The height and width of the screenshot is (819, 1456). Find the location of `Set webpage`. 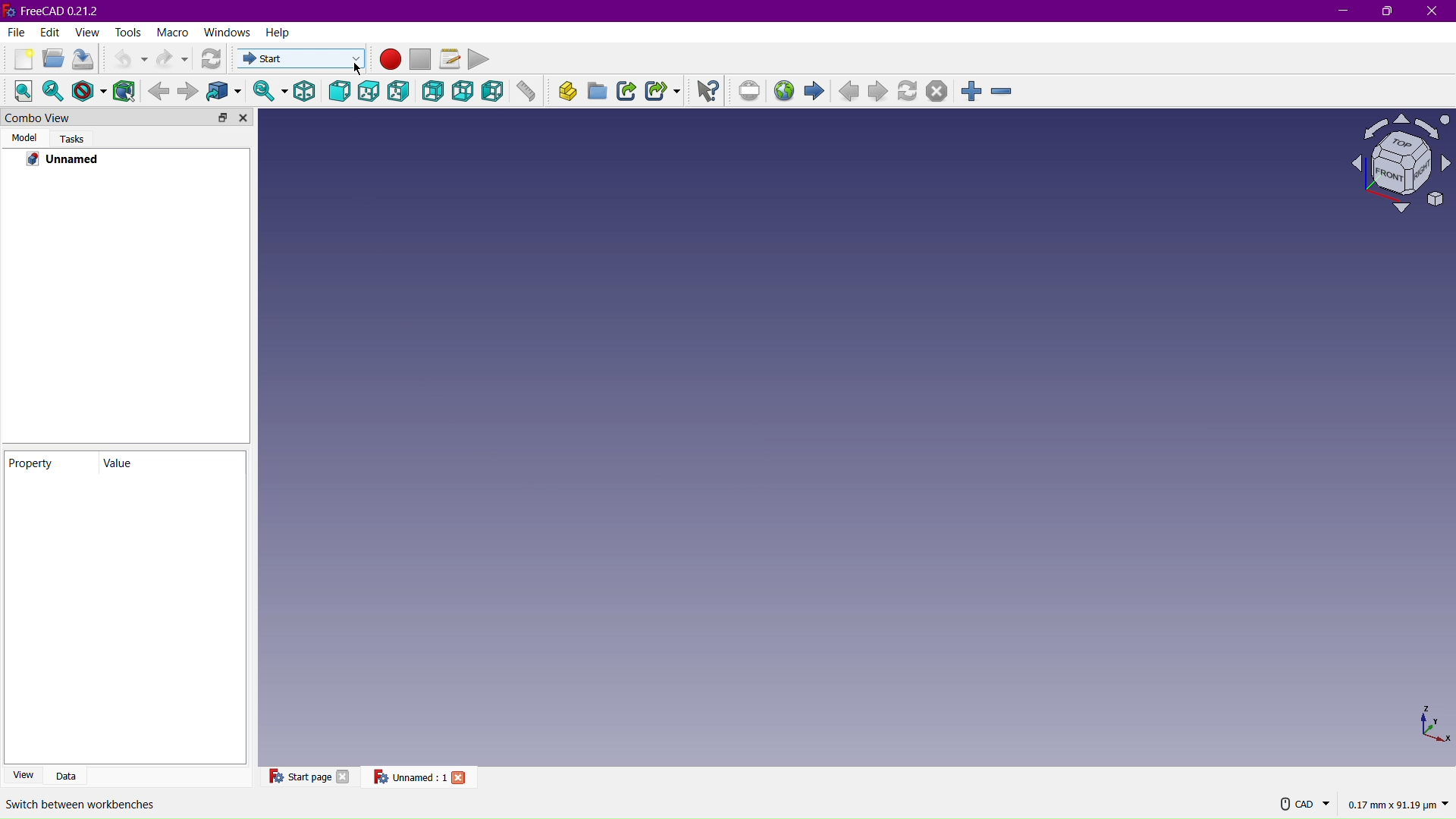

Set webpage is located at coordinates (752, 92).